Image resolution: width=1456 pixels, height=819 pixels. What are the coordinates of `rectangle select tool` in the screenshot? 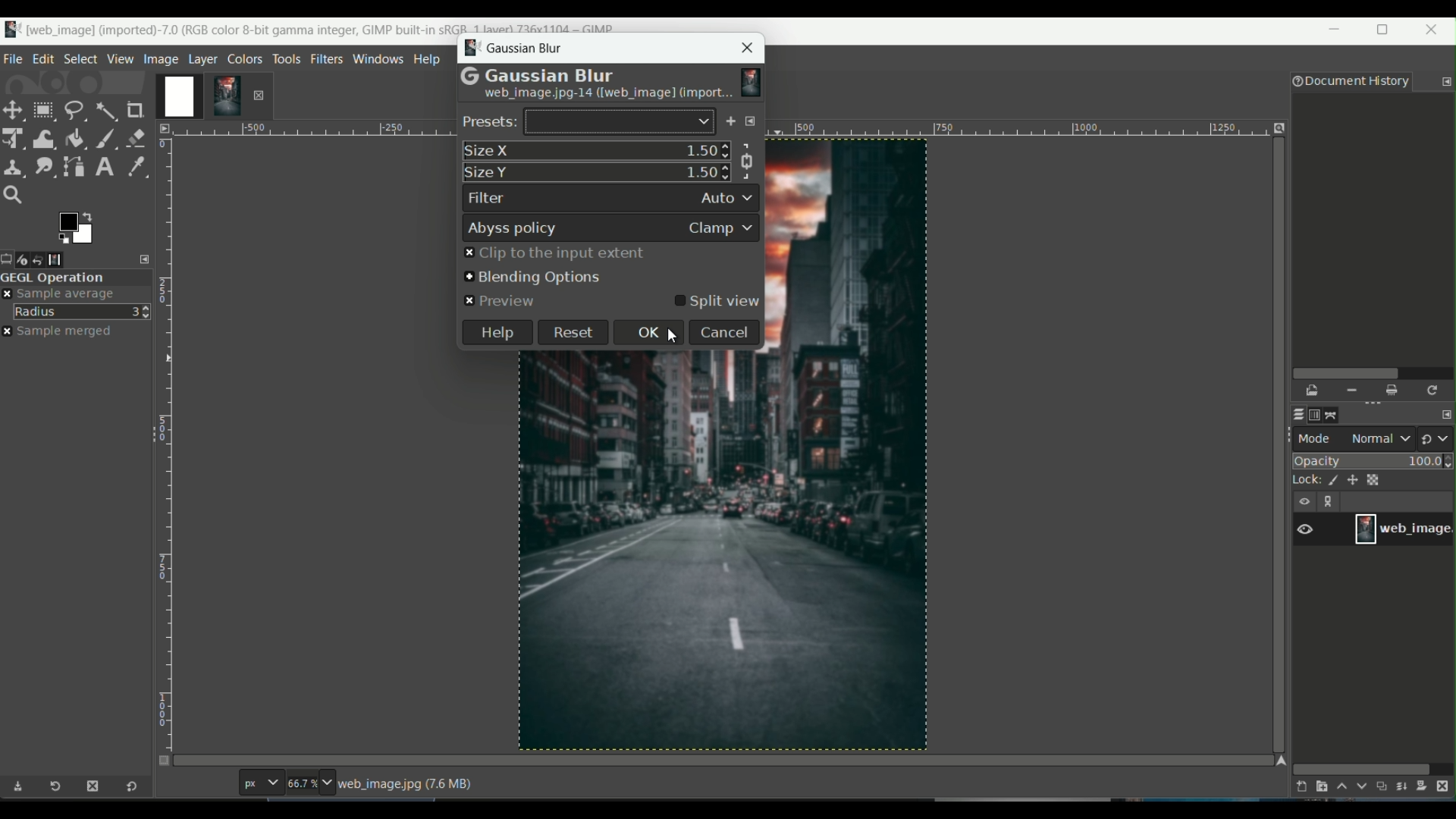 It's located at (42, 110).